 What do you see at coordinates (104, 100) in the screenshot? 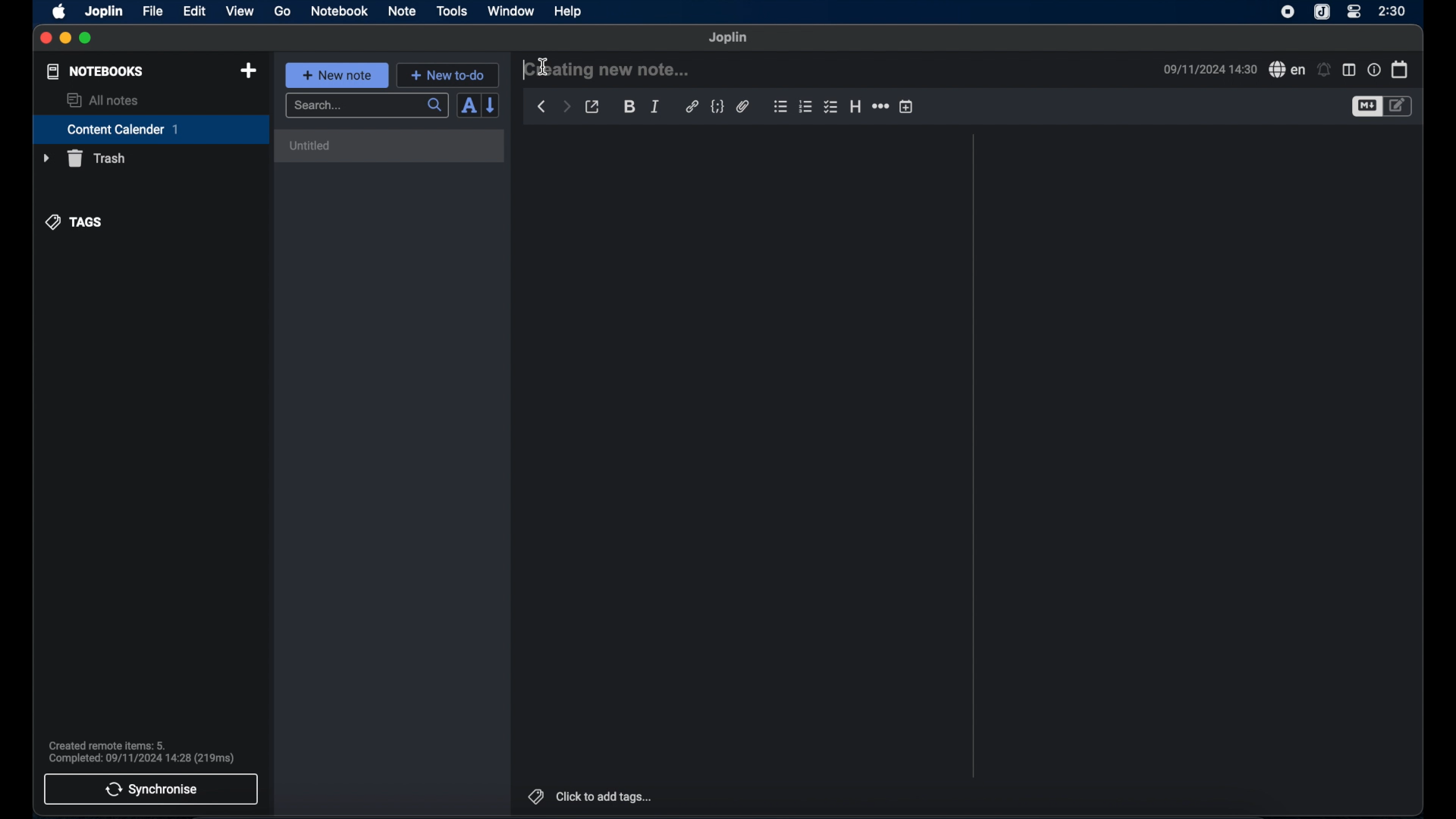
I see `all notes` at bounding box center [104, 100].